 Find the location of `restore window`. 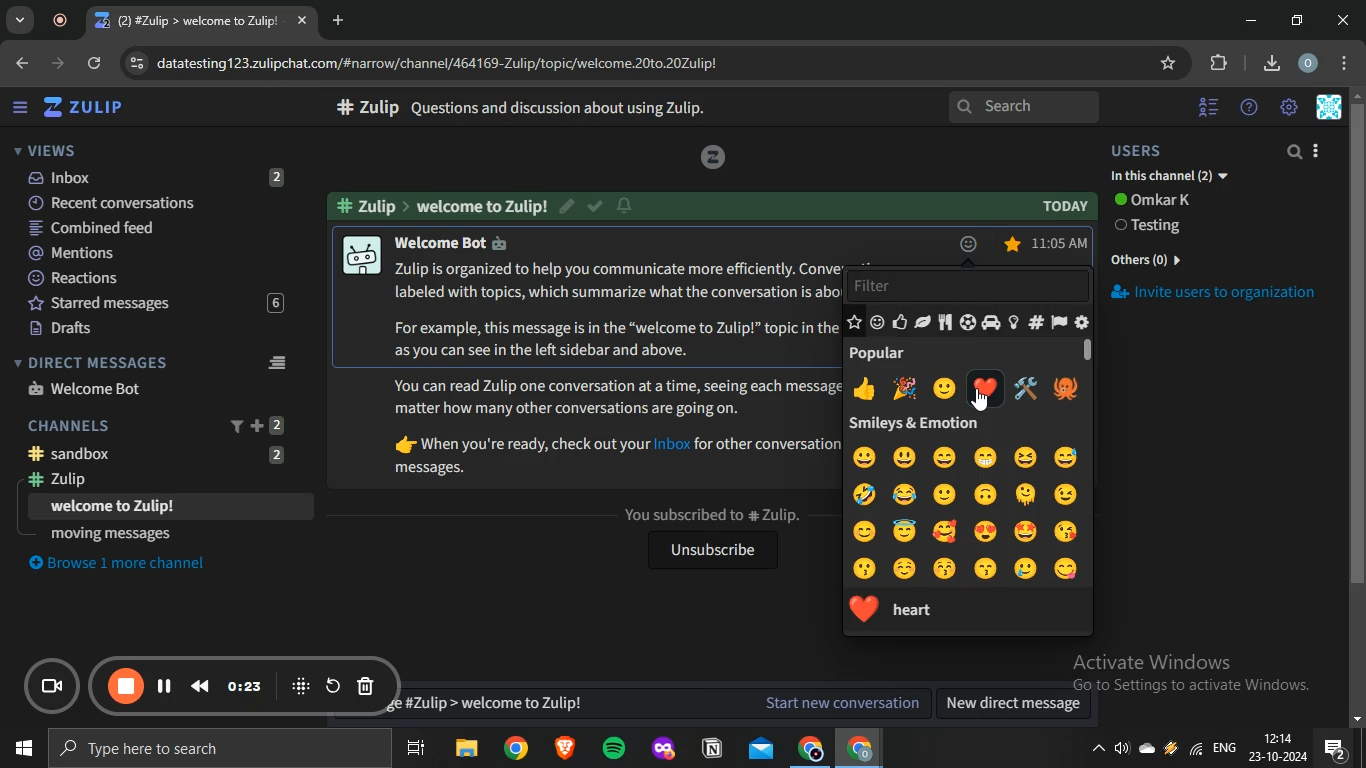

restore window is located at coordinates (1299, 20).